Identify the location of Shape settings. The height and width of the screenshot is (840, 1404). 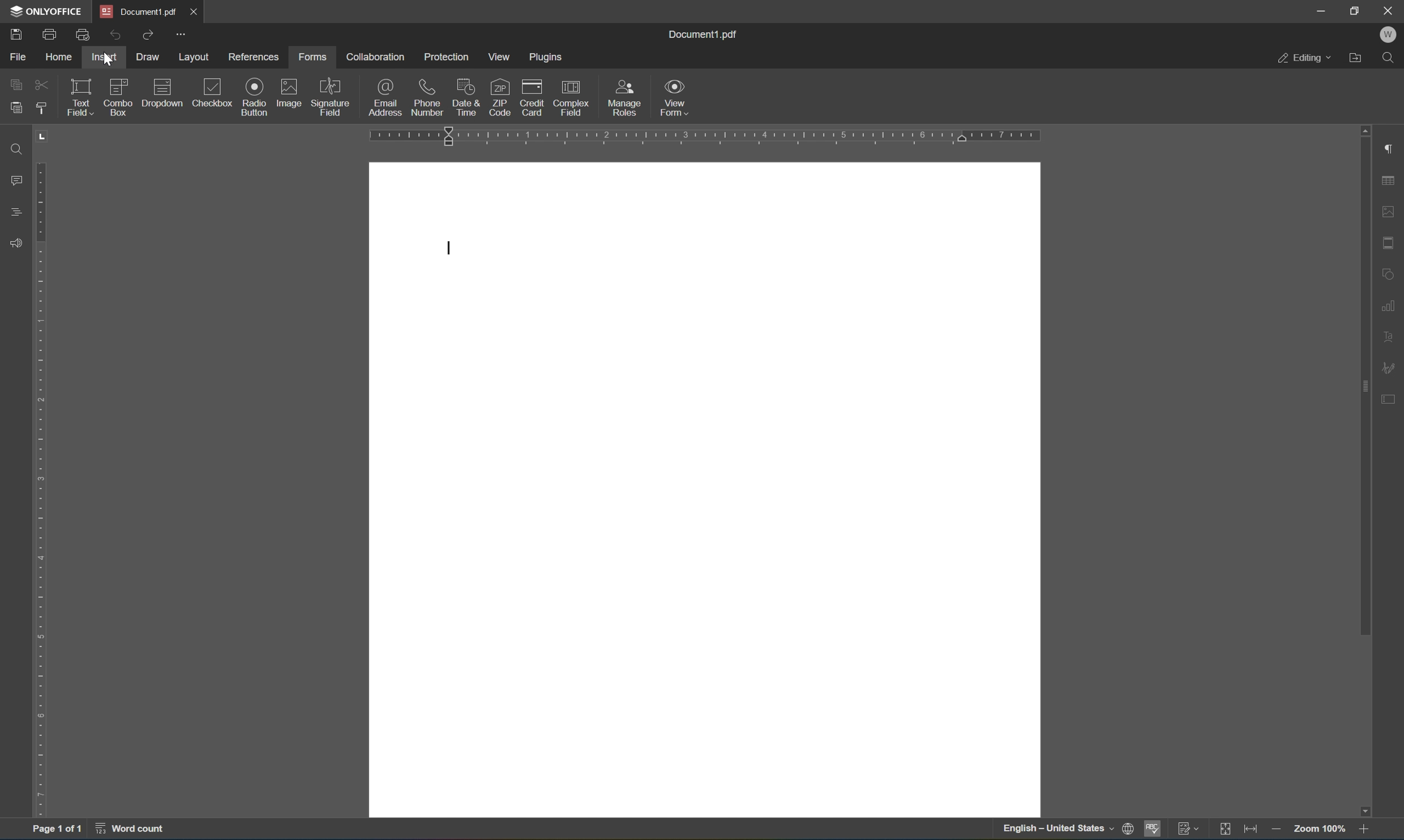
(1389, 273).